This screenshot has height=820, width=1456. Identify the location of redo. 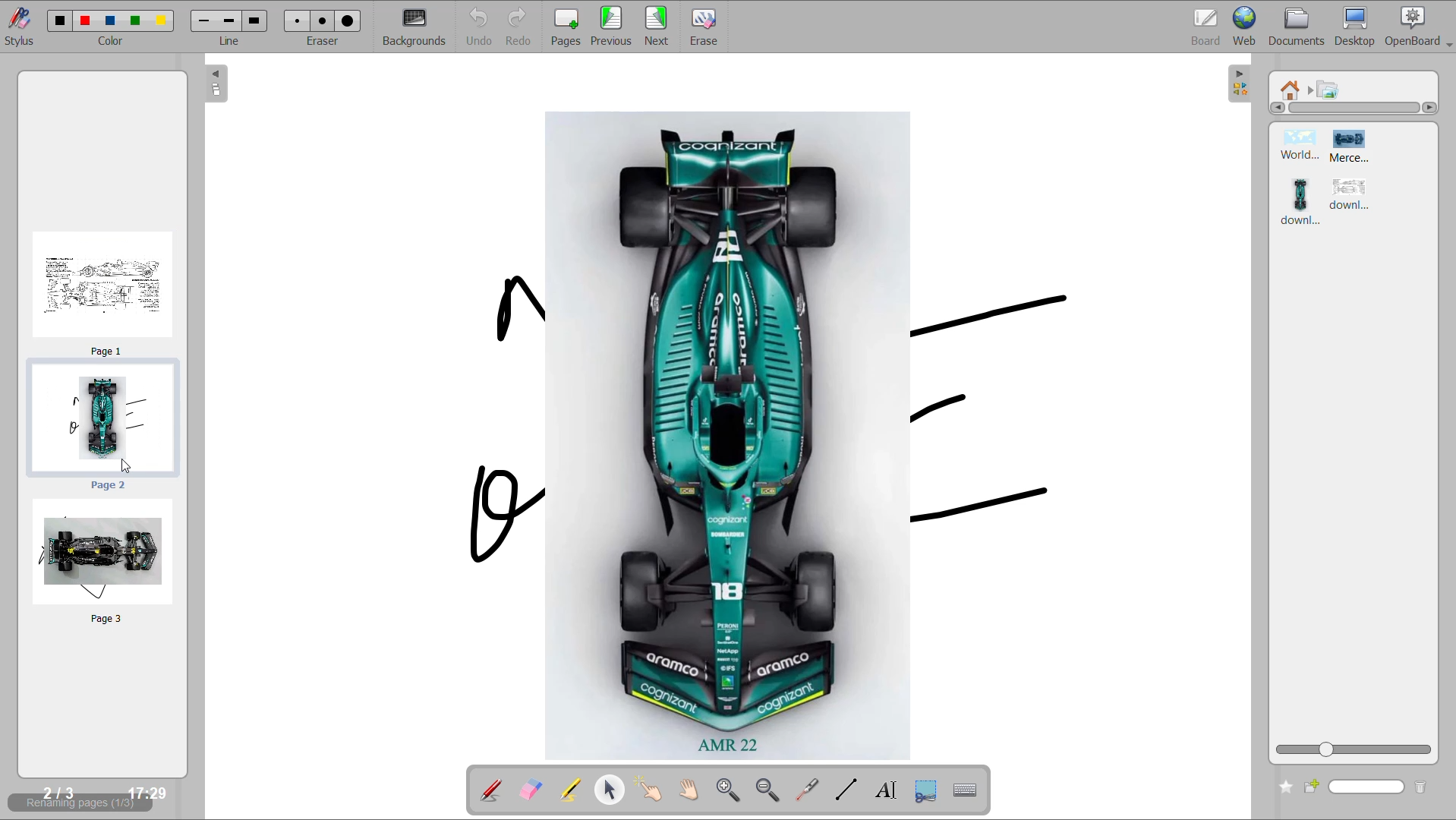
(522, 27).